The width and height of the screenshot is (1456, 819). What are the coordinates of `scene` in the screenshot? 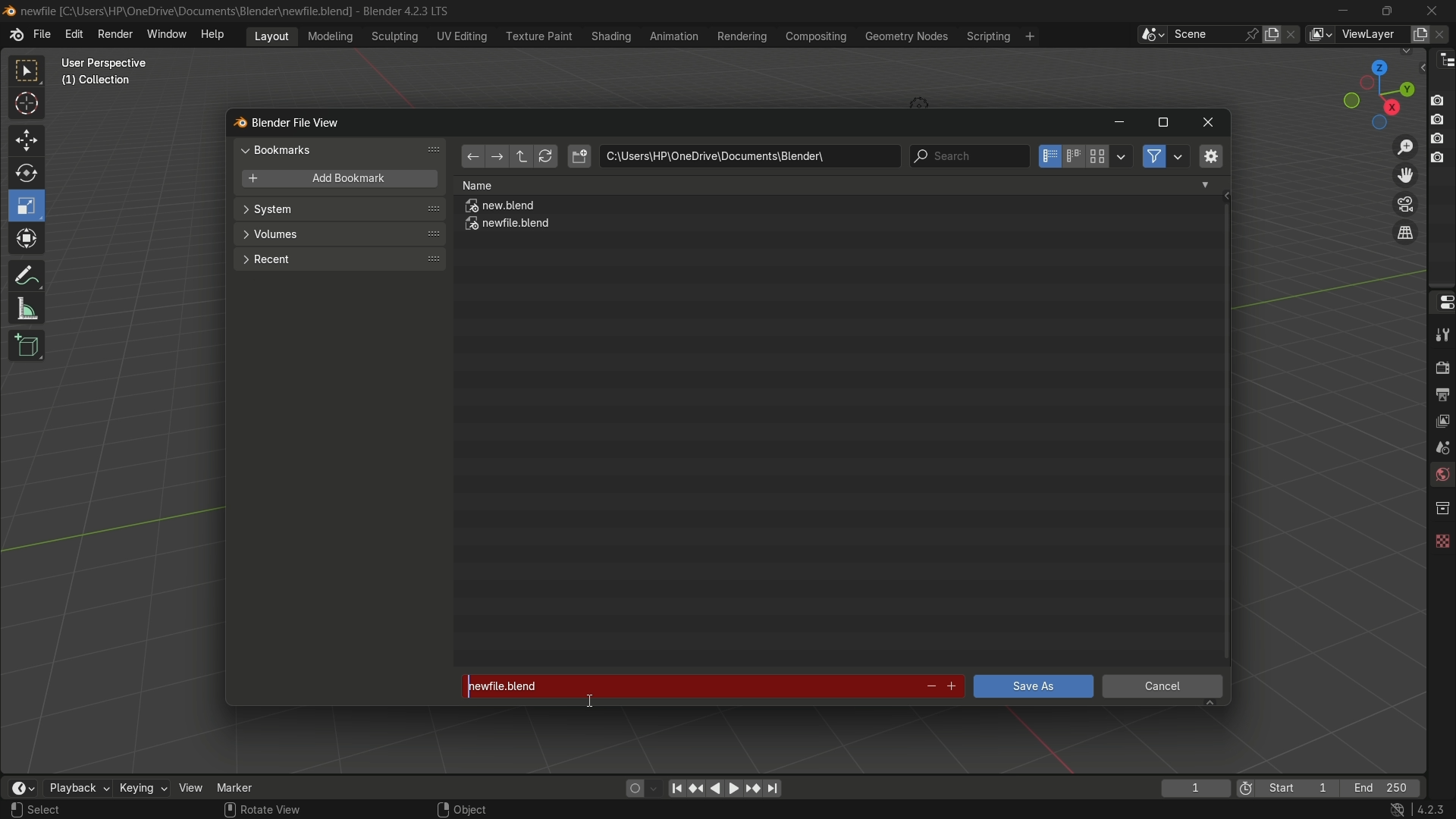 It's located at (1439, 447).